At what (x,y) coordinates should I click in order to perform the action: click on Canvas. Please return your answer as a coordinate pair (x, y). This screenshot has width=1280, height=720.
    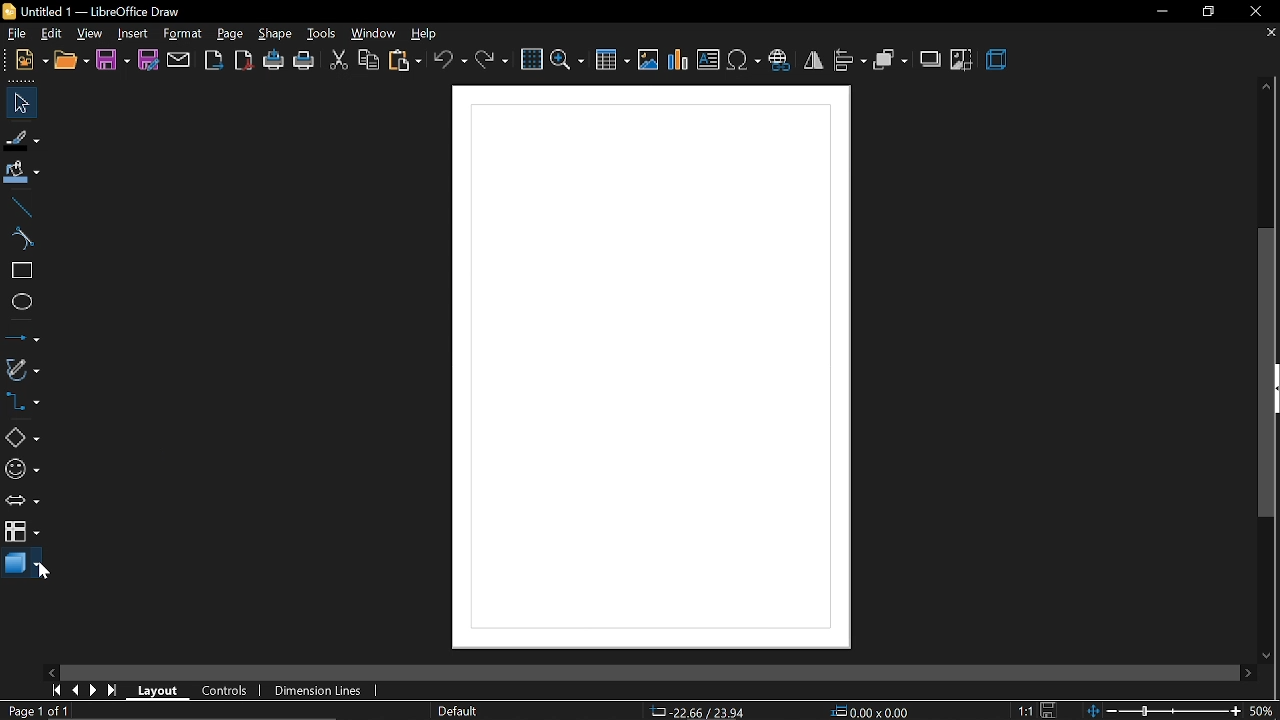
    Looking at the image, I should click on (649, 369).